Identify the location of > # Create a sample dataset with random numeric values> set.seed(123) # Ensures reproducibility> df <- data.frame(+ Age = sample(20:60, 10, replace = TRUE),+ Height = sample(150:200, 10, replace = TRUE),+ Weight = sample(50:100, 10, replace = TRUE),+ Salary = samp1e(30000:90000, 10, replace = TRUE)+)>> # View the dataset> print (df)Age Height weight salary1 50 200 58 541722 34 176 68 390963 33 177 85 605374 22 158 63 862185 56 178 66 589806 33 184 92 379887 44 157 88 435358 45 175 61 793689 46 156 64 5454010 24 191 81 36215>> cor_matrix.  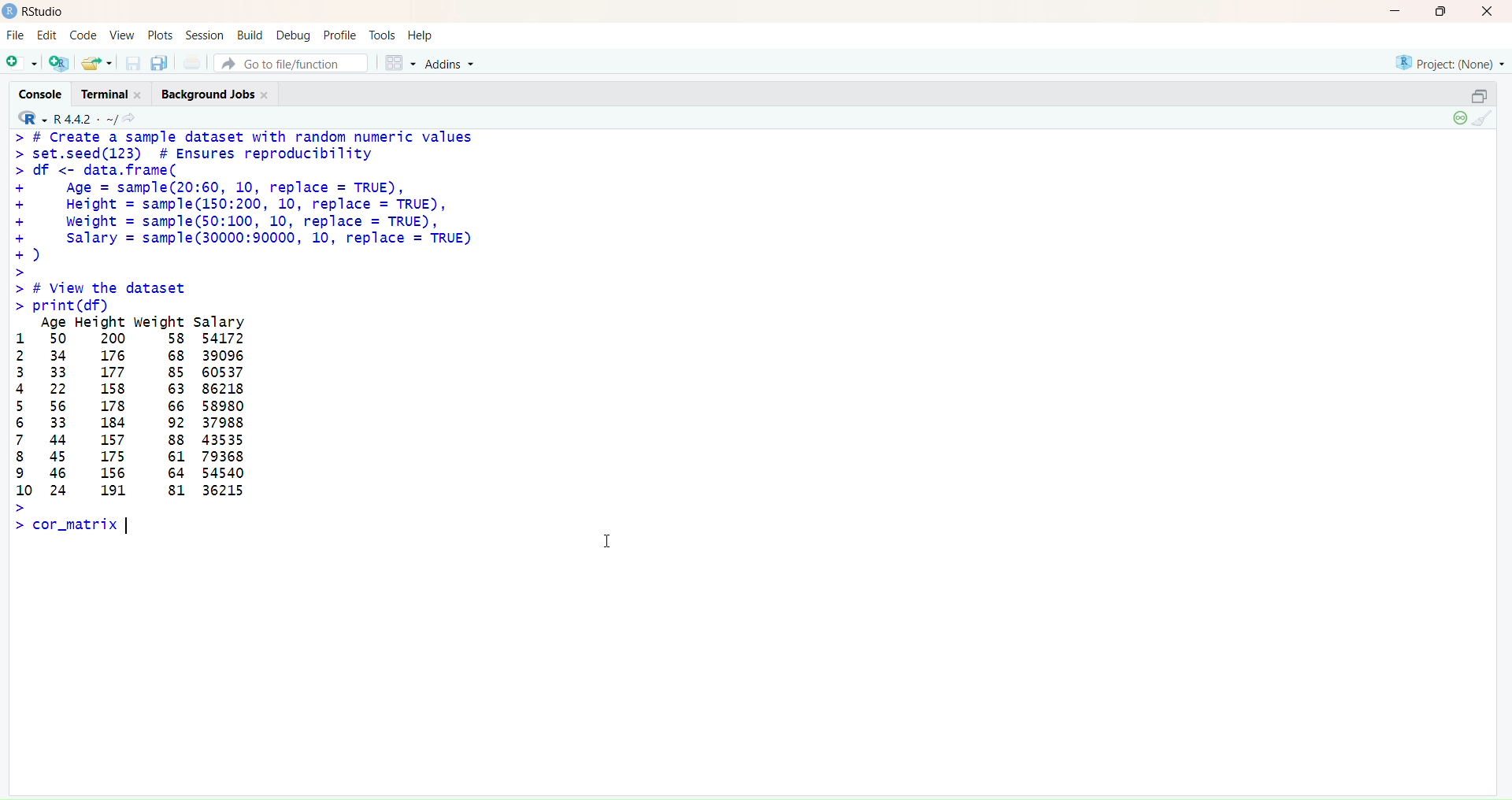
(264, 334).